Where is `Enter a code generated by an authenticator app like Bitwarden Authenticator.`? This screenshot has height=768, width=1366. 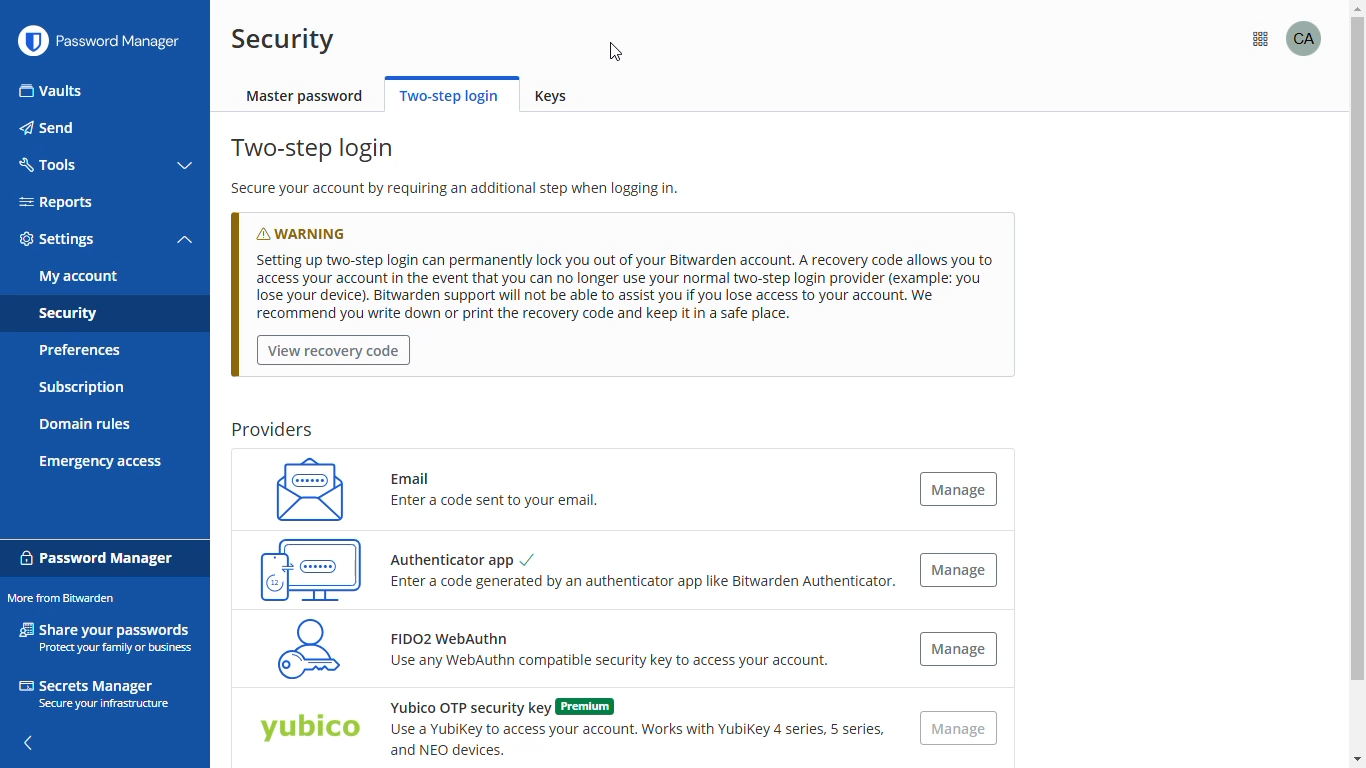 Enter a code generated by an authenticator app like Bitwarden Authenticator. is located at coordinates (645, 582).